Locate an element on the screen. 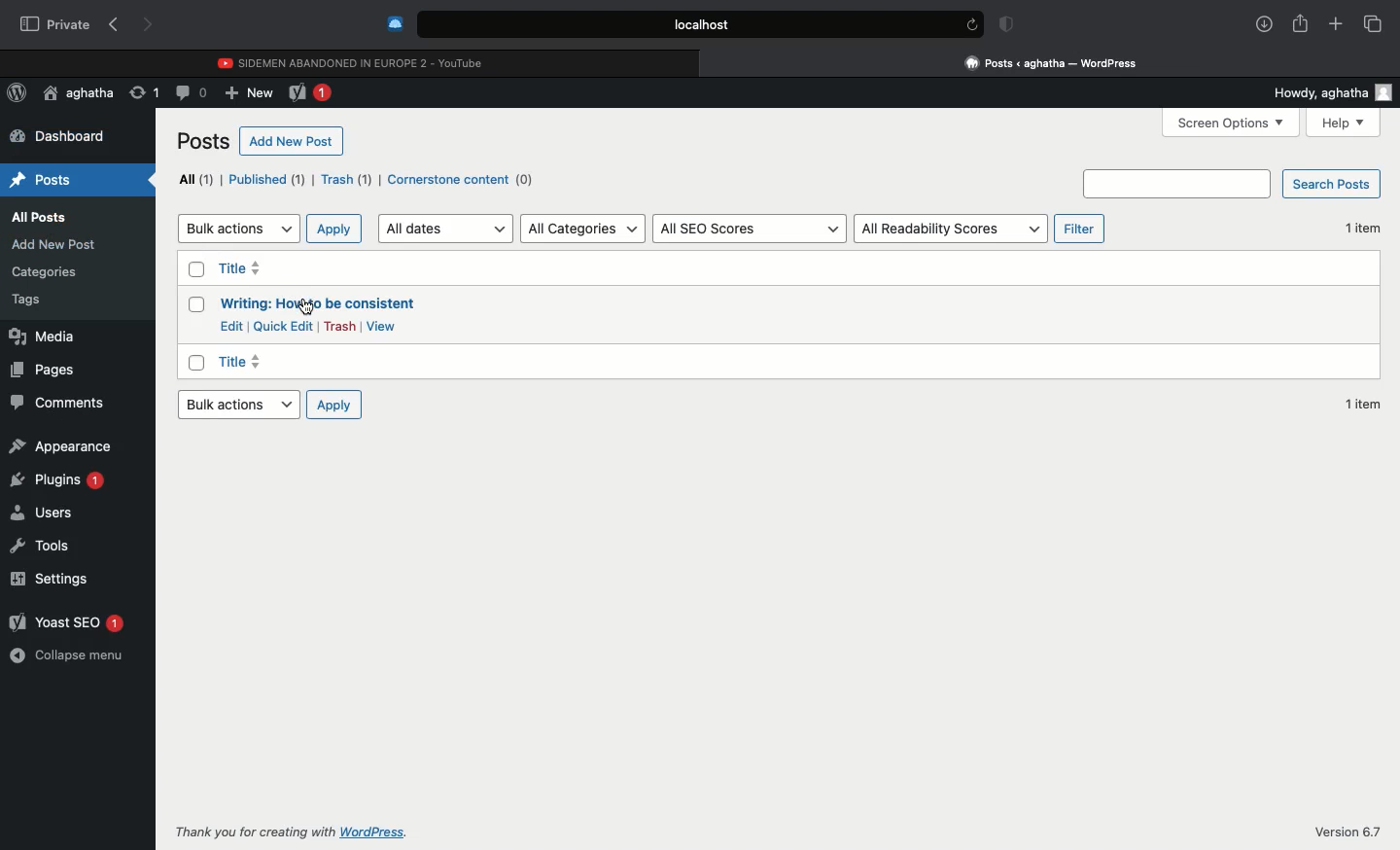  posts is located at coordinates (48, 176).